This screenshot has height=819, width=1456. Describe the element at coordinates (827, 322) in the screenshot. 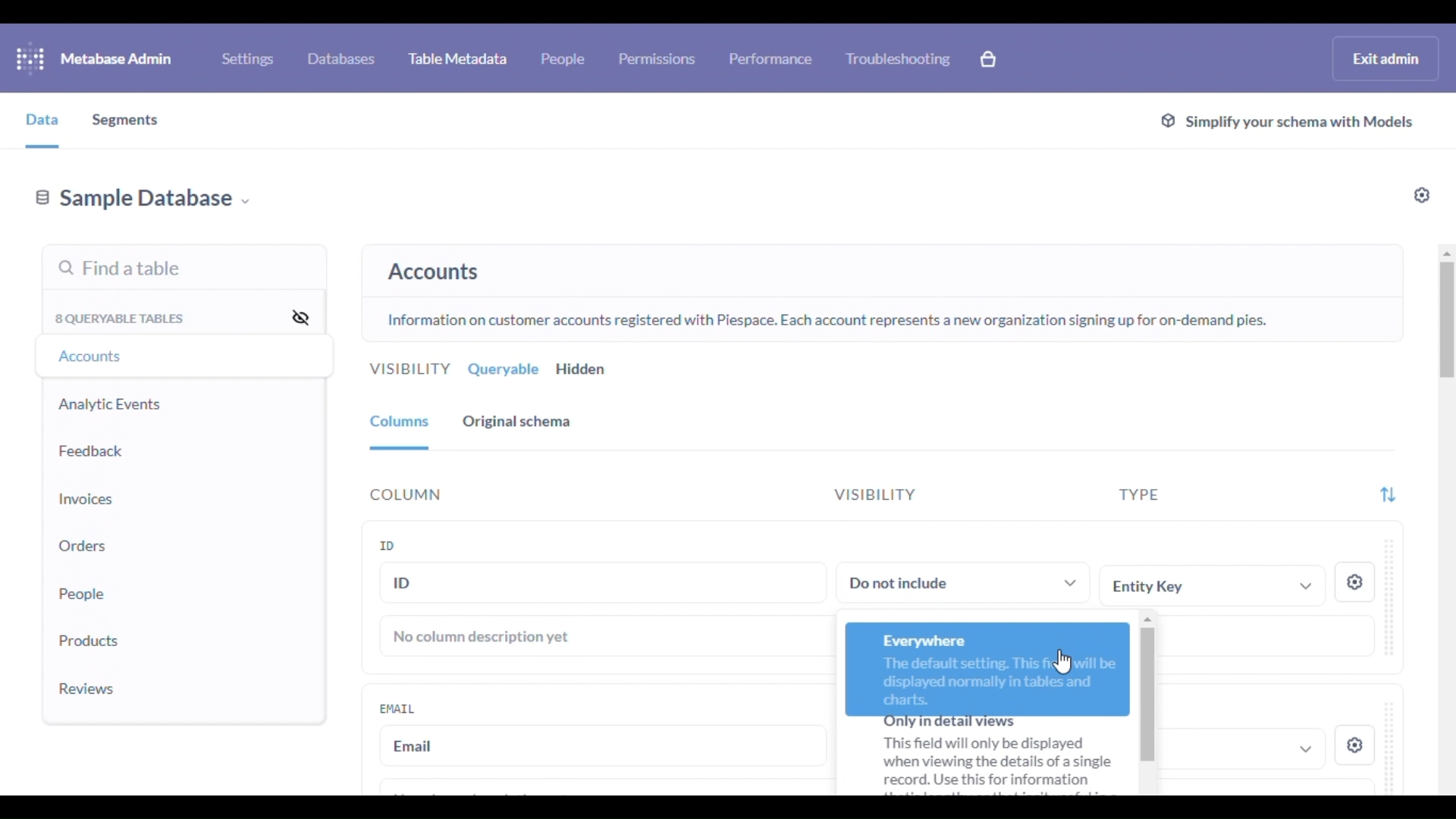

I see `Information on customer accounts registered with Piespace. Each account represents a new organization signing up for on-demand pies.` at that location.